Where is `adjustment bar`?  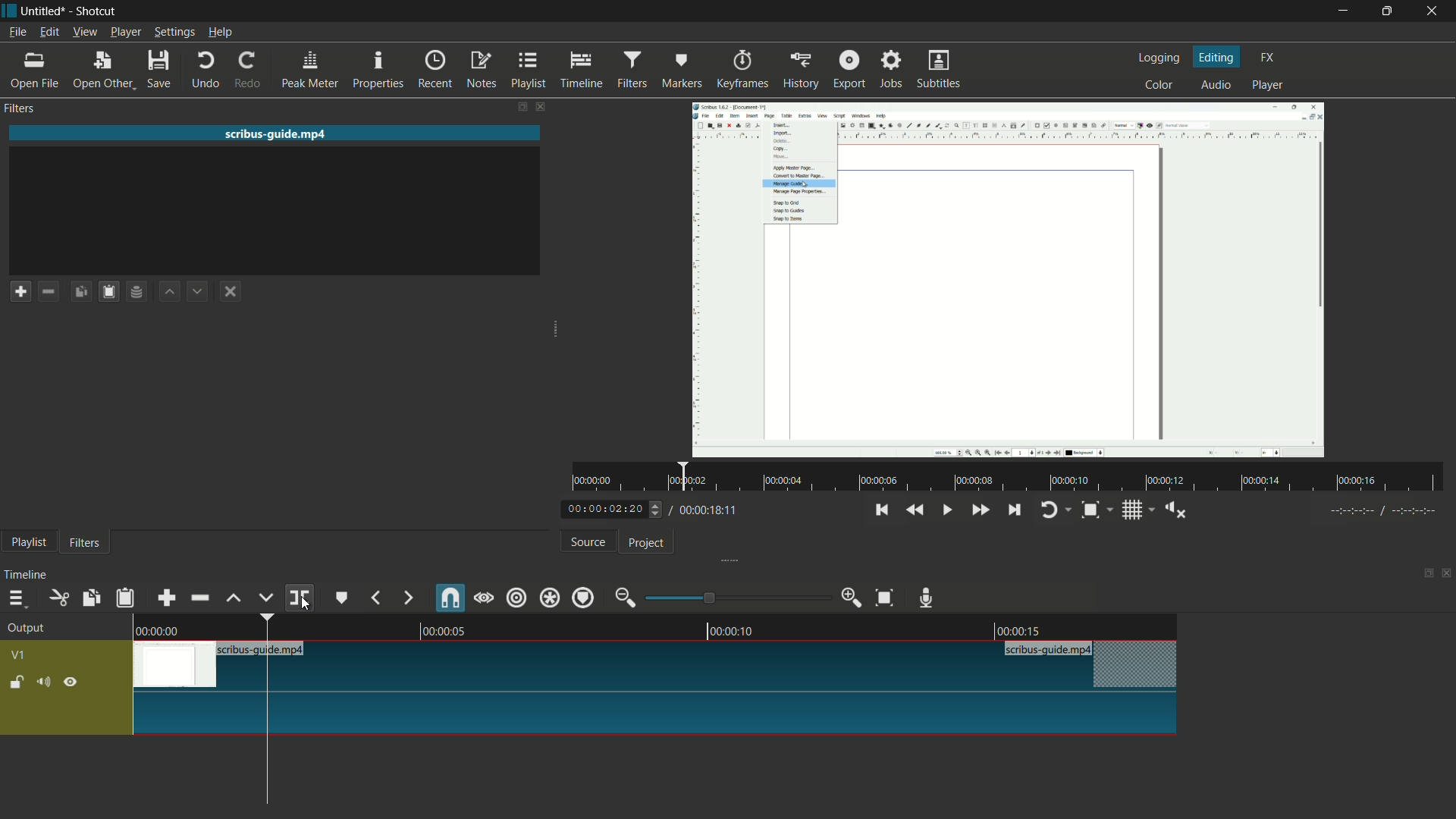
adjustment bar is located at coordinates (737, 598).